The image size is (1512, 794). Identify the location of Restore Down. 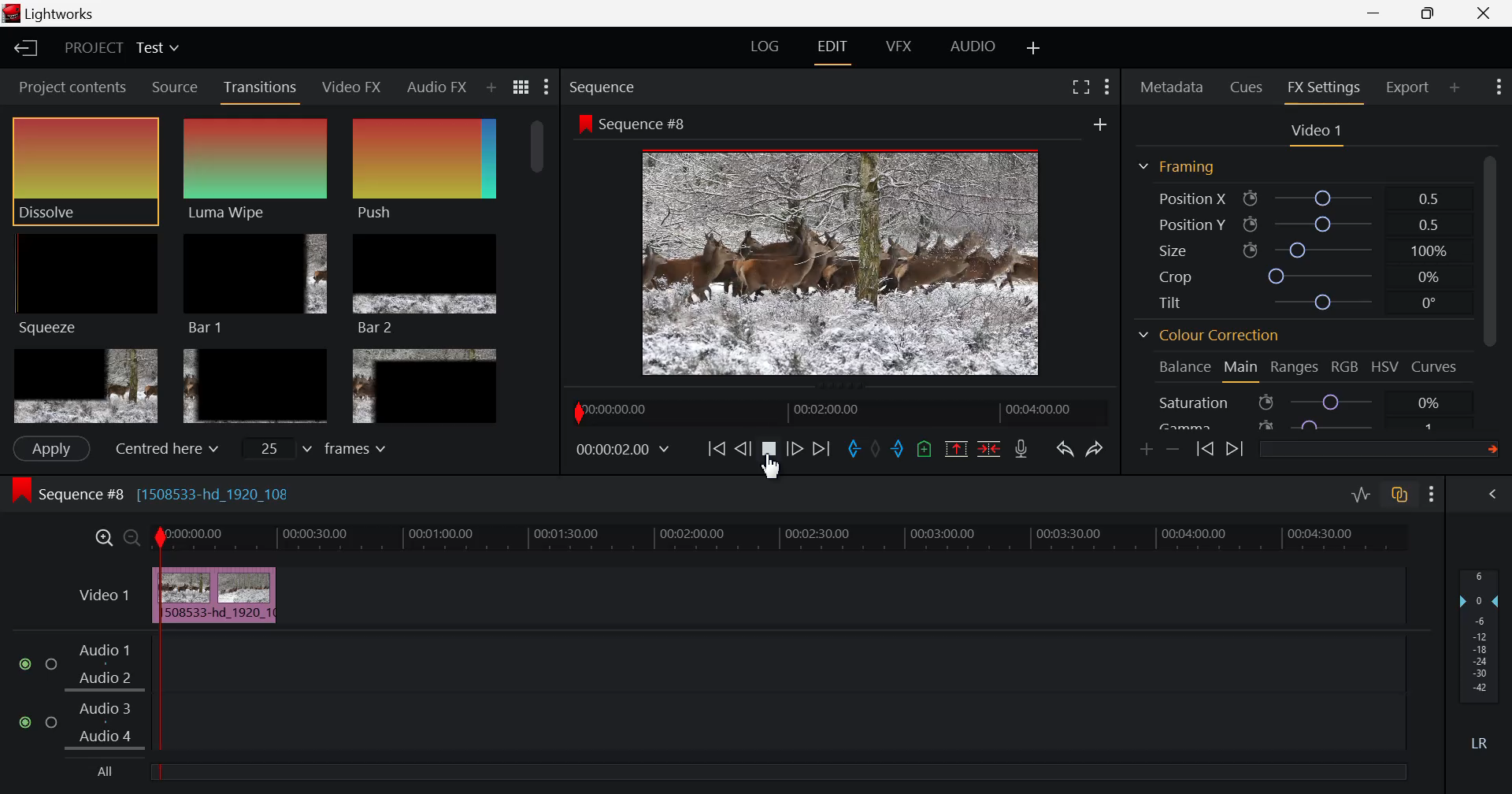
(1378, 13).